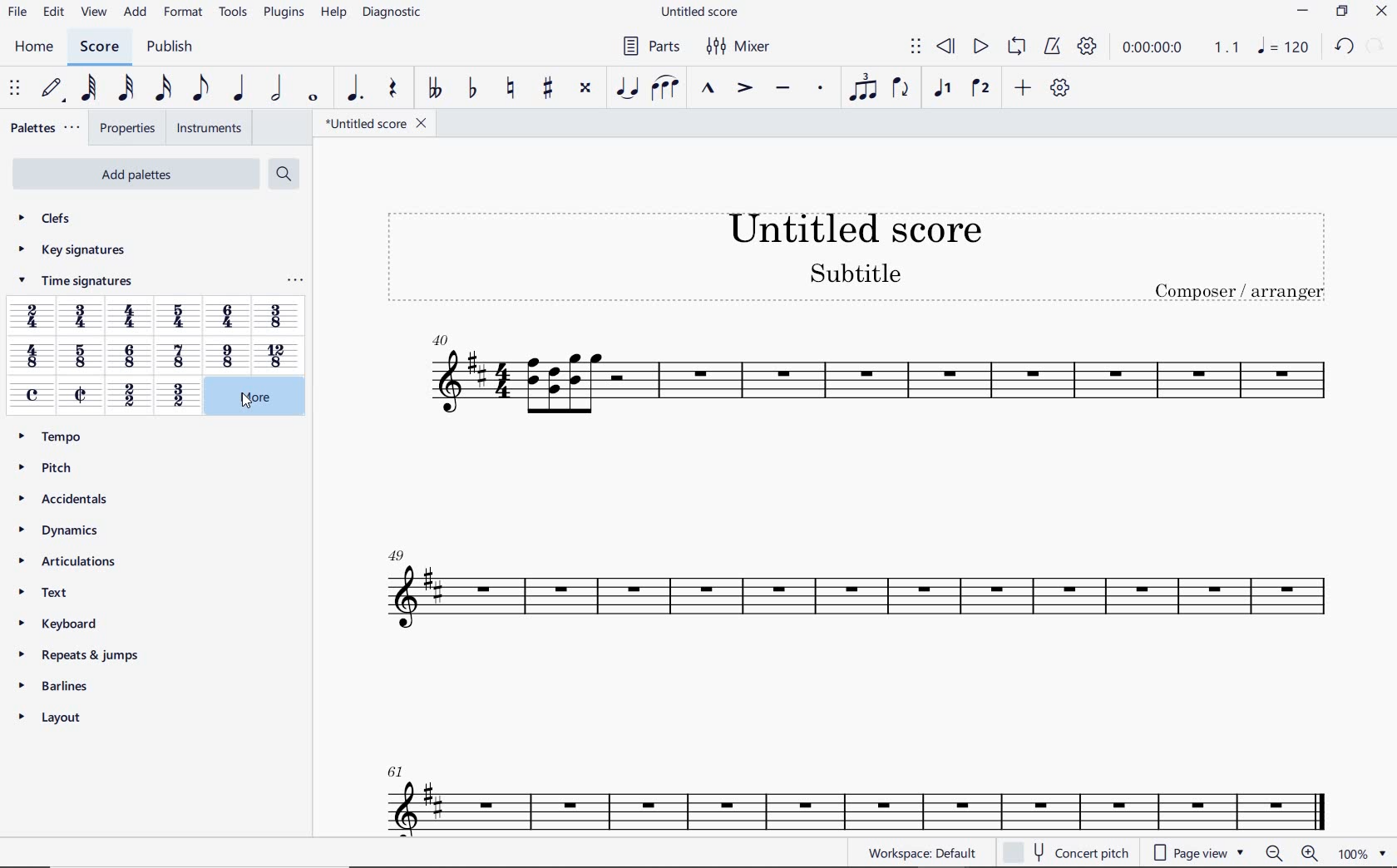 The image size is (1397, 868). What do you see at coordinates (1303, 11) in the screenshot?
I see `MINIMIZE` at bounding box center [1303, 11].